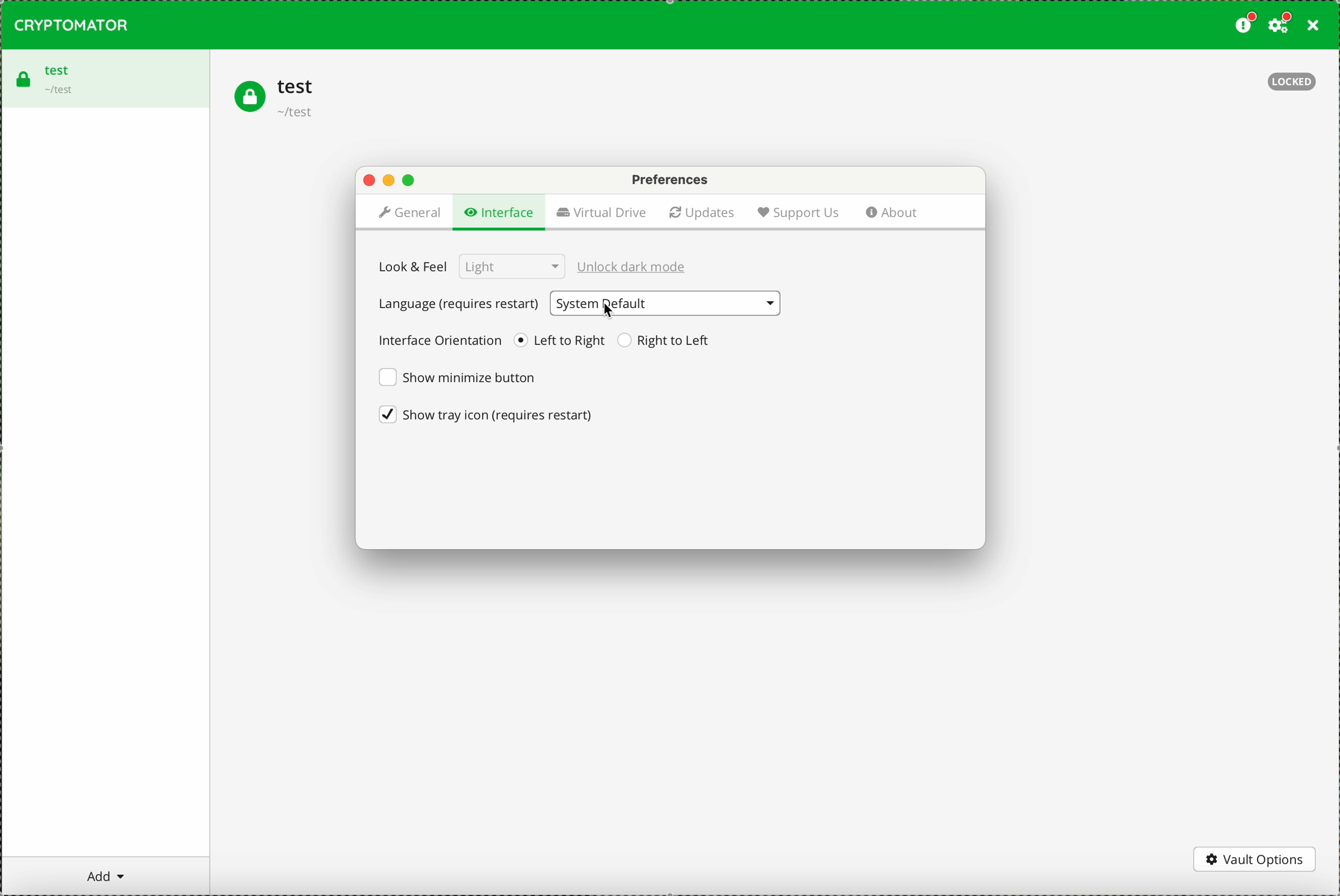 The width and height of the screenshot is (1340, 896). Describe the element at coordinates (409, 182) in the screenshot. I see `maximize` at that location.